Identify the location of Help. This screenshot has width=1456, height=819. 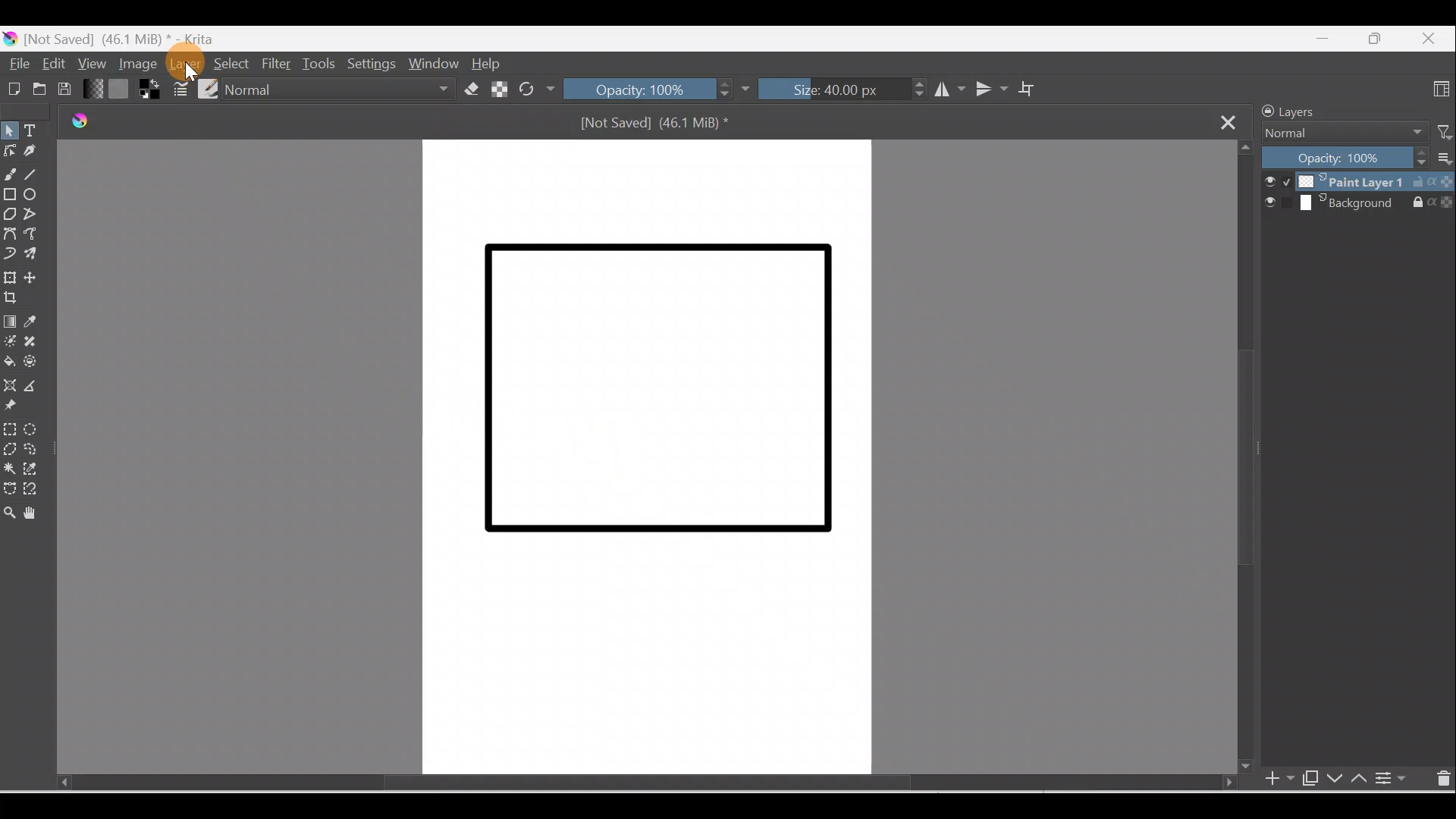
(489, 64).